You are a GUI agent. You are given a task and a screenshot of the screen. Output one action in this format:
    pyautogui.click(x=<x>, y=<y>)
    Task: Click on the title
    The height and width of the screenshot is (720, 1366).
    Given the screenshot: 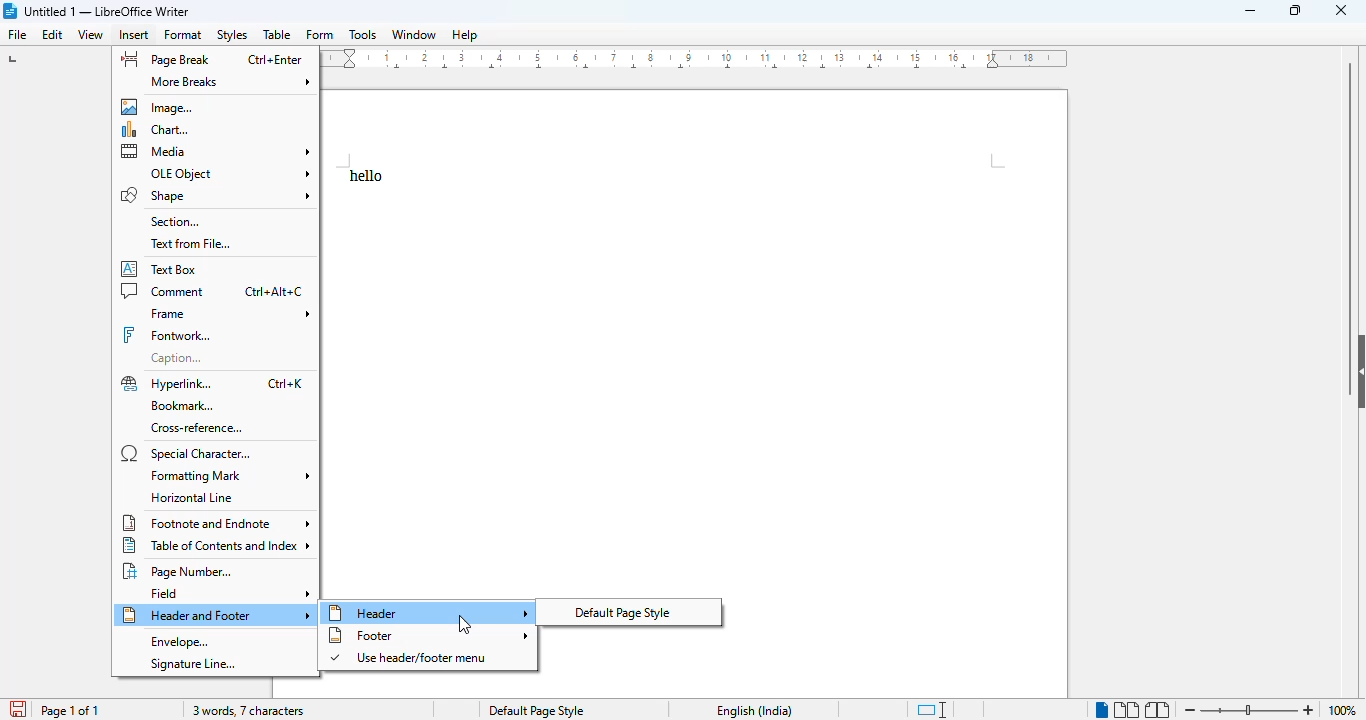 What is the action you would take?
    pyautogui.click(x=108, y=11)
    